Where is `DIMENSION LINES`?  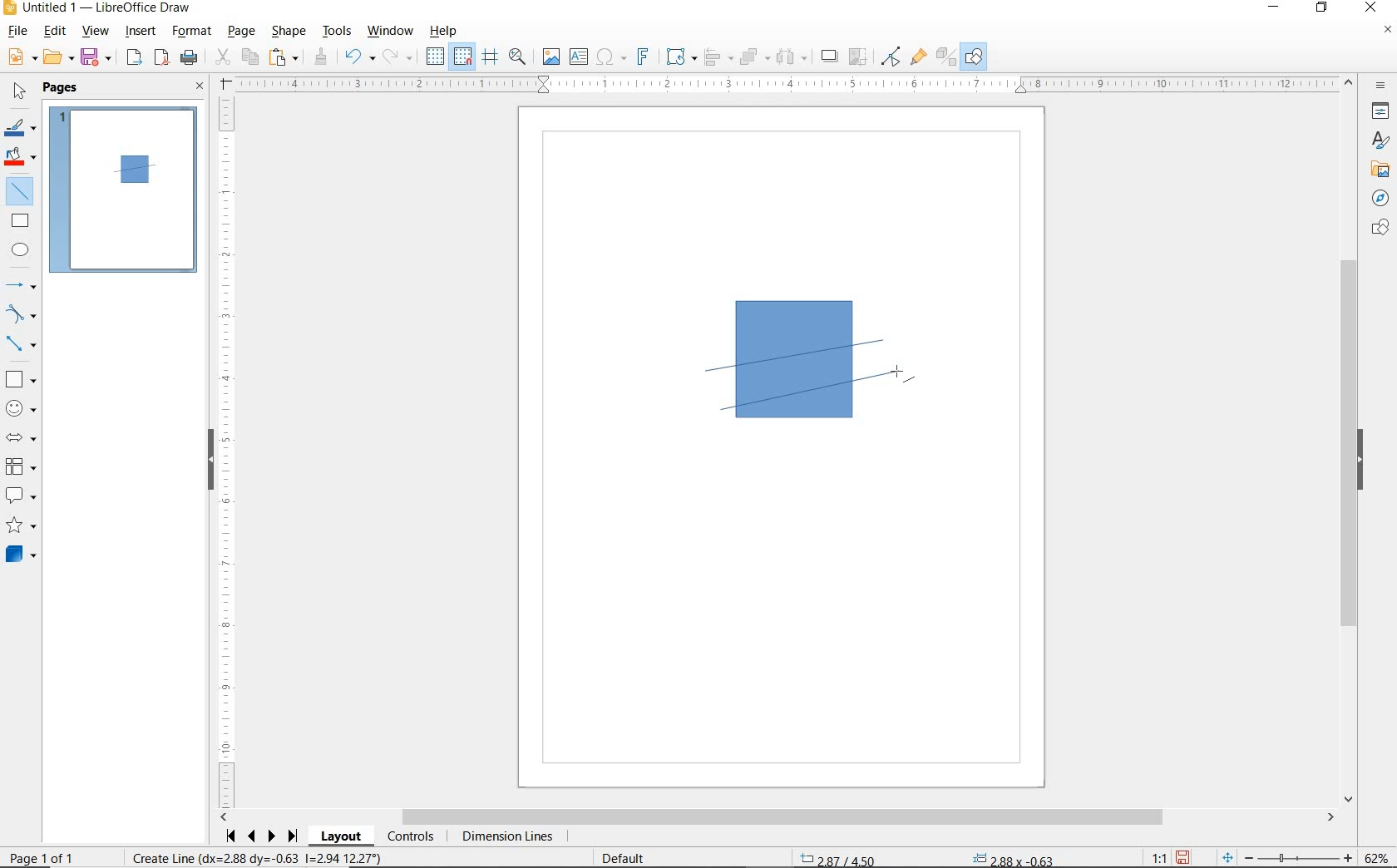 DIMENSION LINES is located at coordinates (506, 837).